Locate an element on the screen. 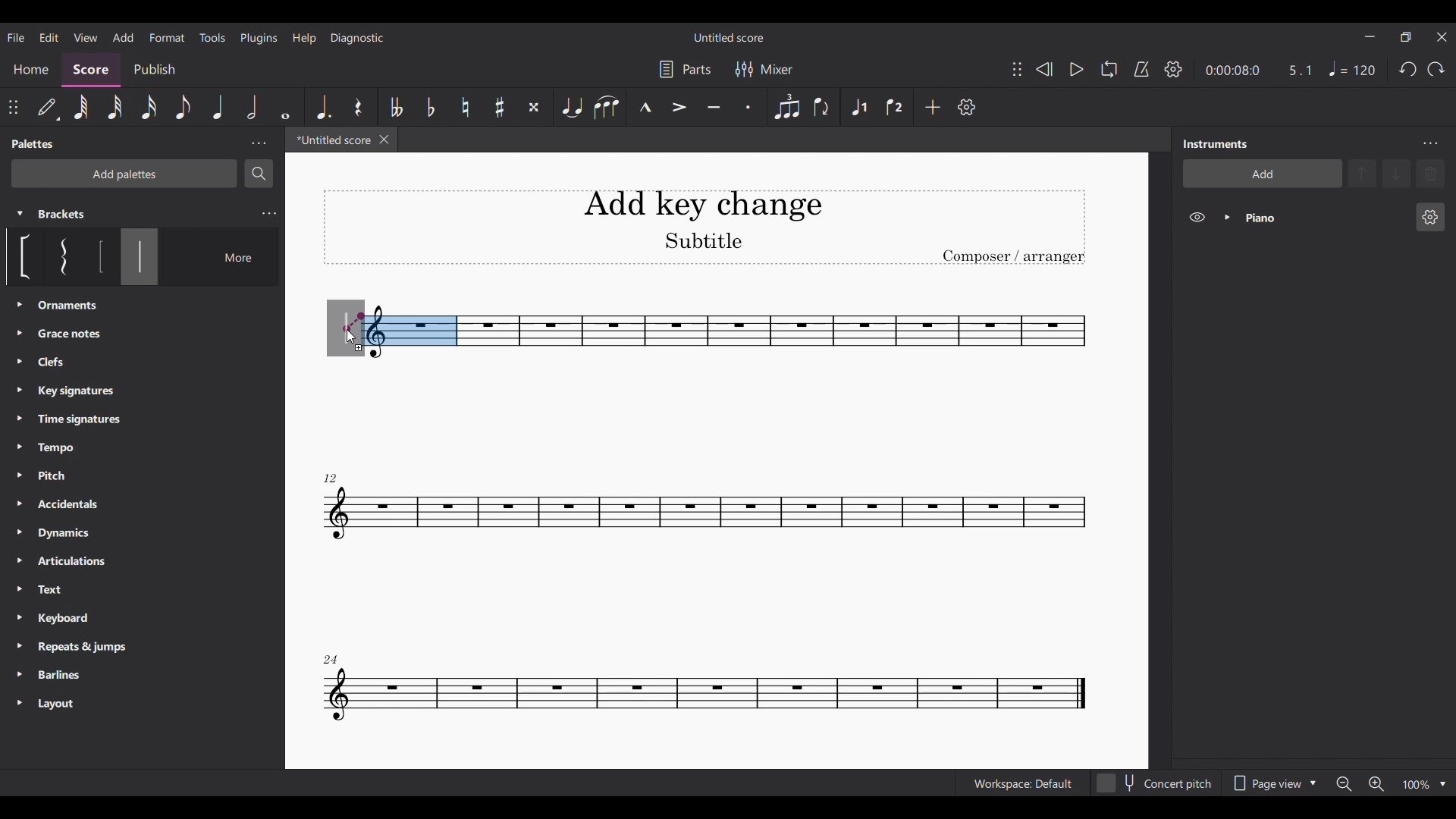 This screenshot has height=819, width=1456. Voice 2 is located at coordinates (893, 107).